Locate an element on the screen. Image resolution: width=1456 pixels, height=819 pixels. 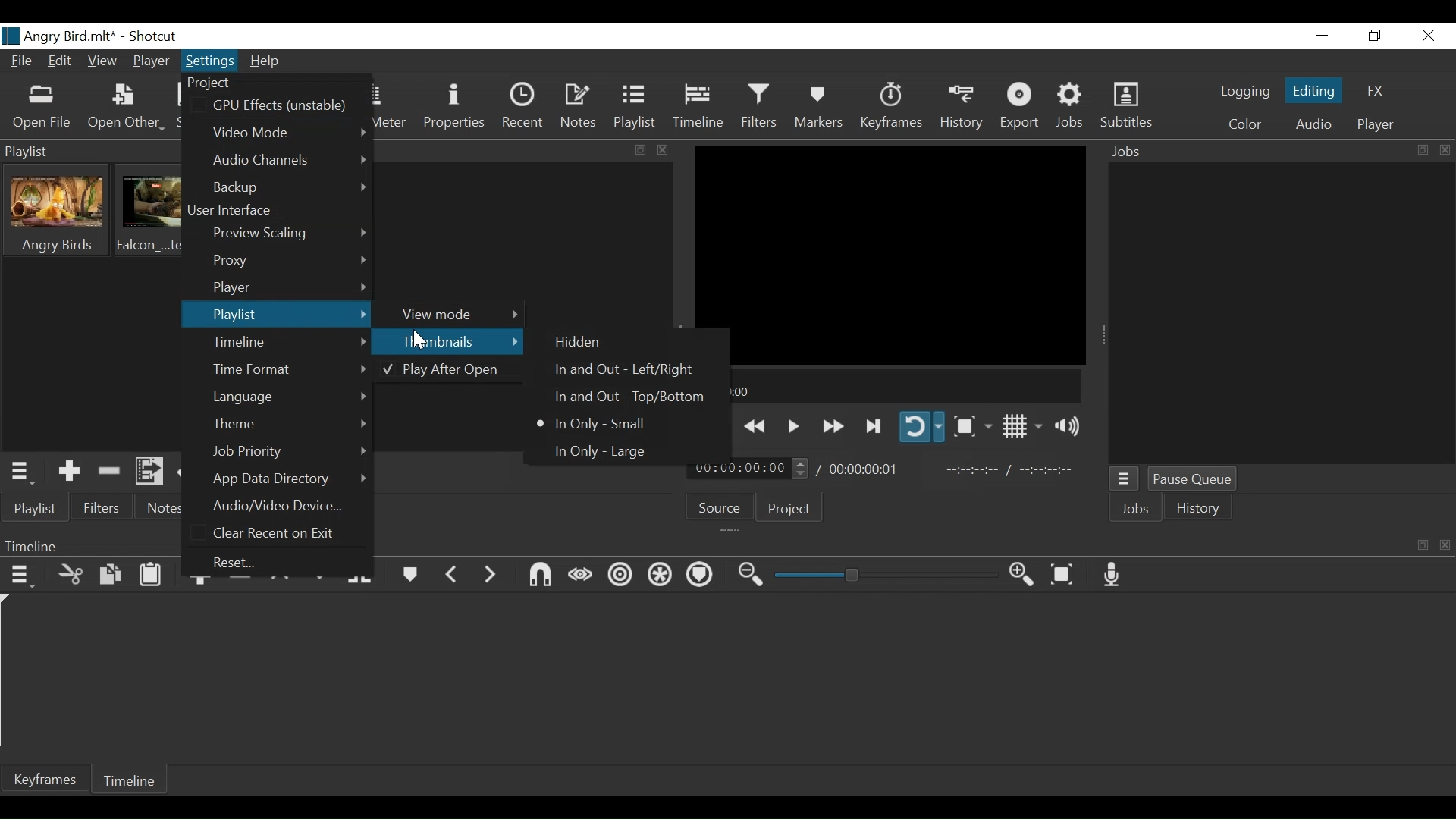
Ripple Delete is located at coordinates (239, 583).